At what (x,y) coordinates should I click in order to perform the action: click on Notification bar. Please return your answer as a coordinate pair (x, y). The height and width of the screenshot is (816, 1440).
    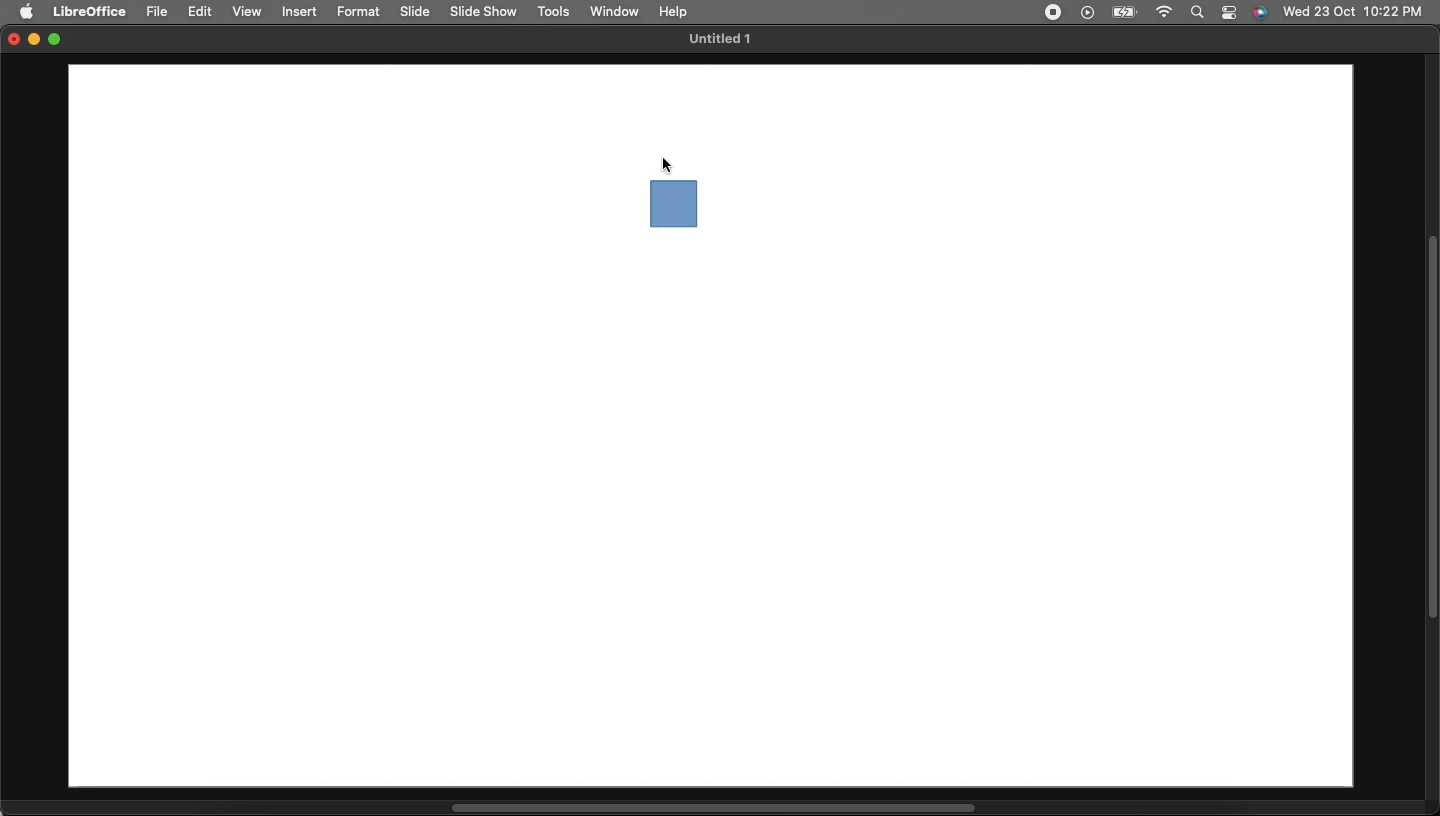
    Looking at the image, I should click on (1230, 13).